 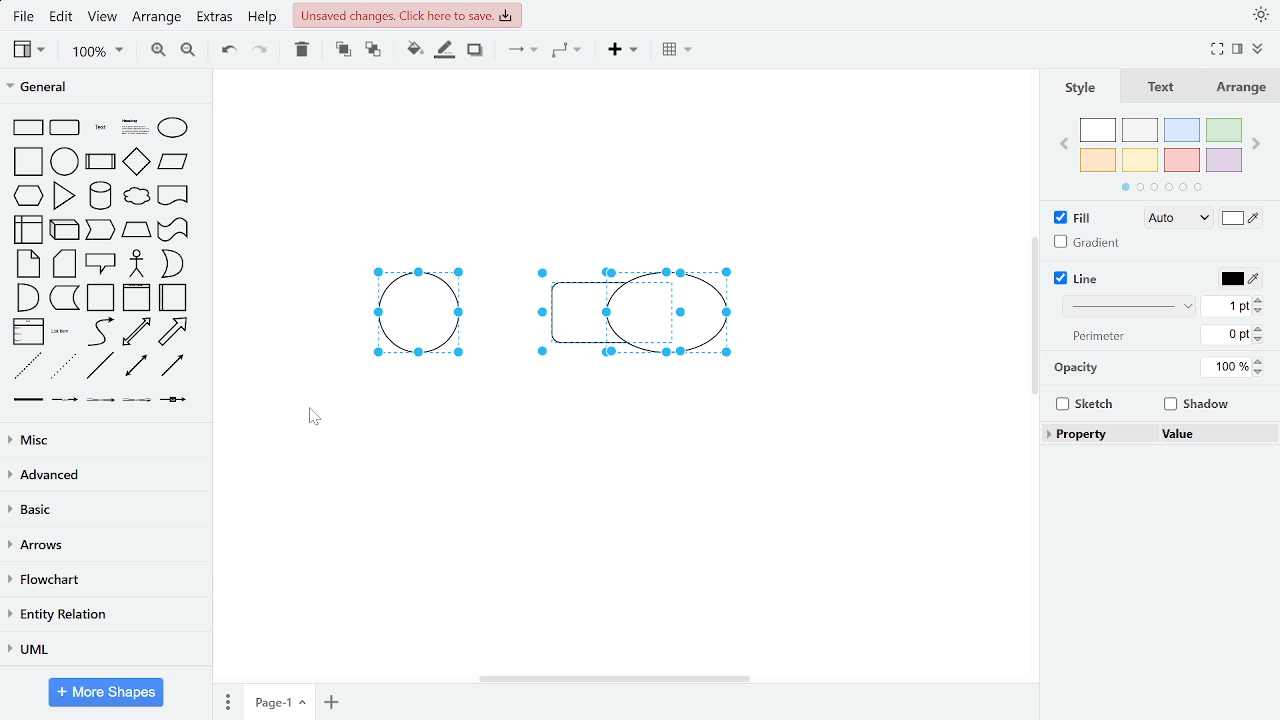 What do you see at coordinates (64, 18) in the screenshot?
I see `edit` at bounding box center [64, 18].